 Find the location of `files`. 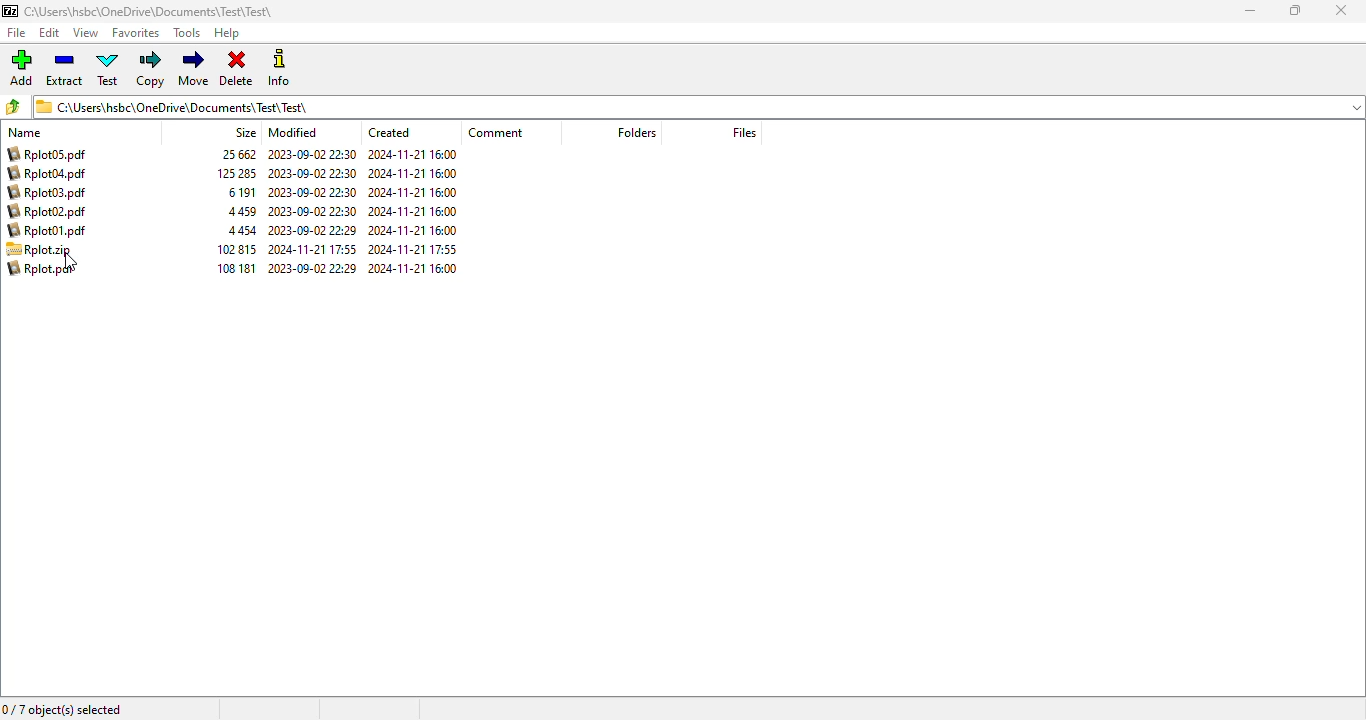

files is located at coordinates (744, 133).